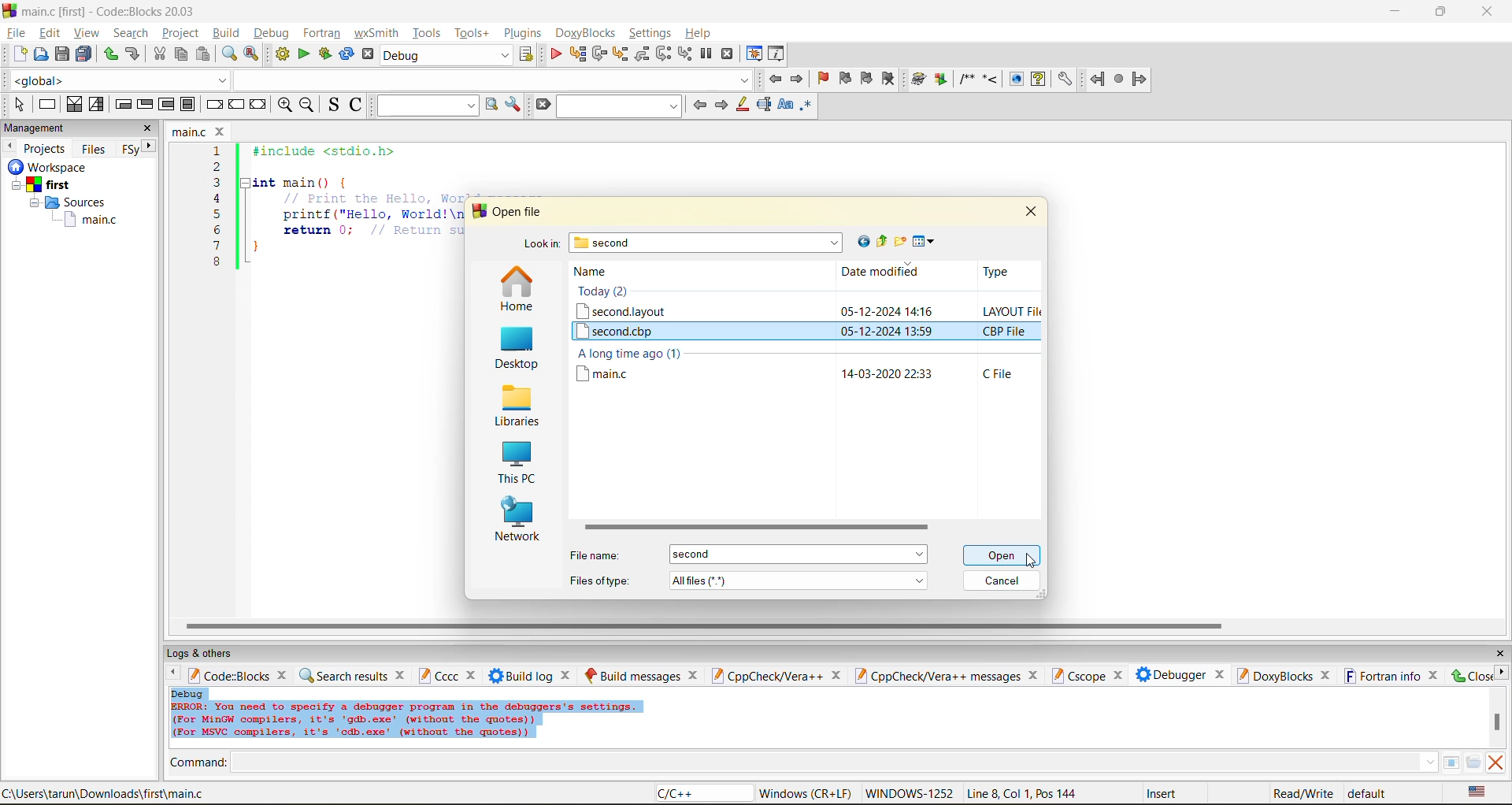 Image resolution: width=1512 pixels, height=805 pixels. What do you see at coordinates (1099, 79) in the screenshot?
I see `back` at bounding box center [1099, 79].